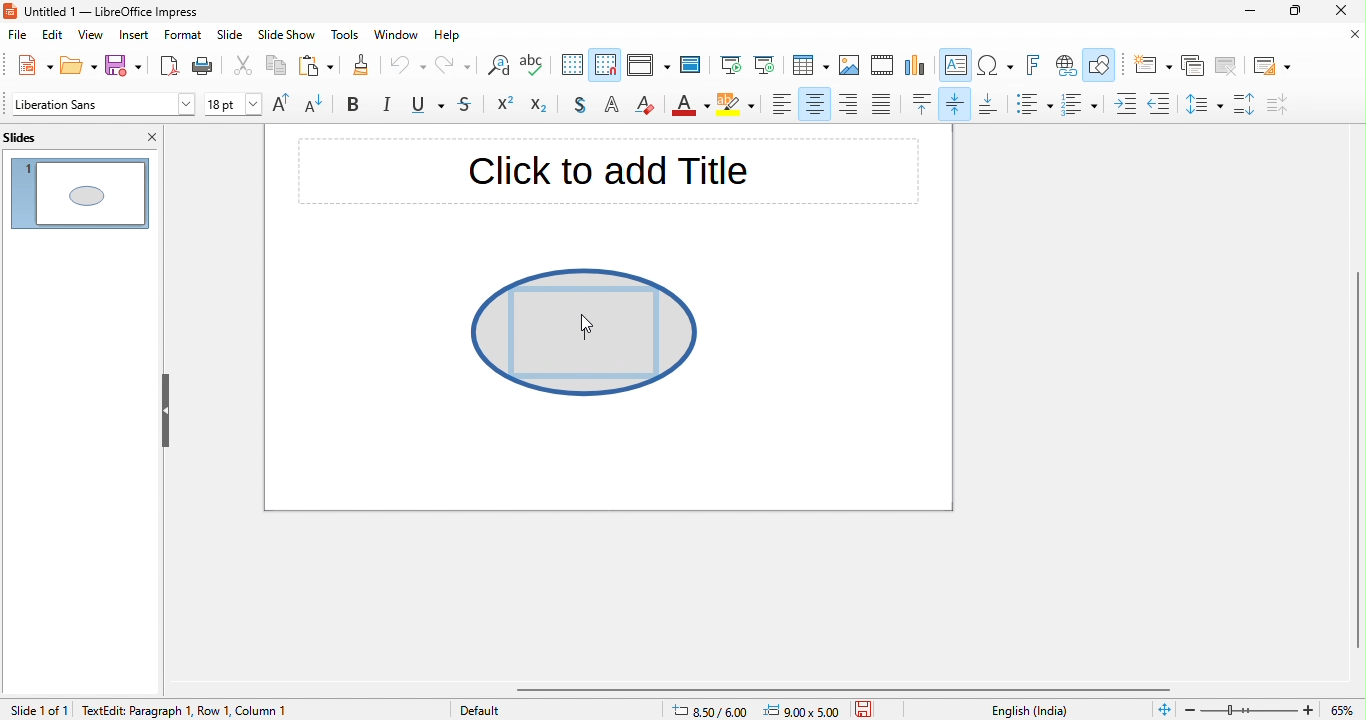  Describe the element at coordinates (738, 107) in the screenshot. I see `character highlight color` at that location.